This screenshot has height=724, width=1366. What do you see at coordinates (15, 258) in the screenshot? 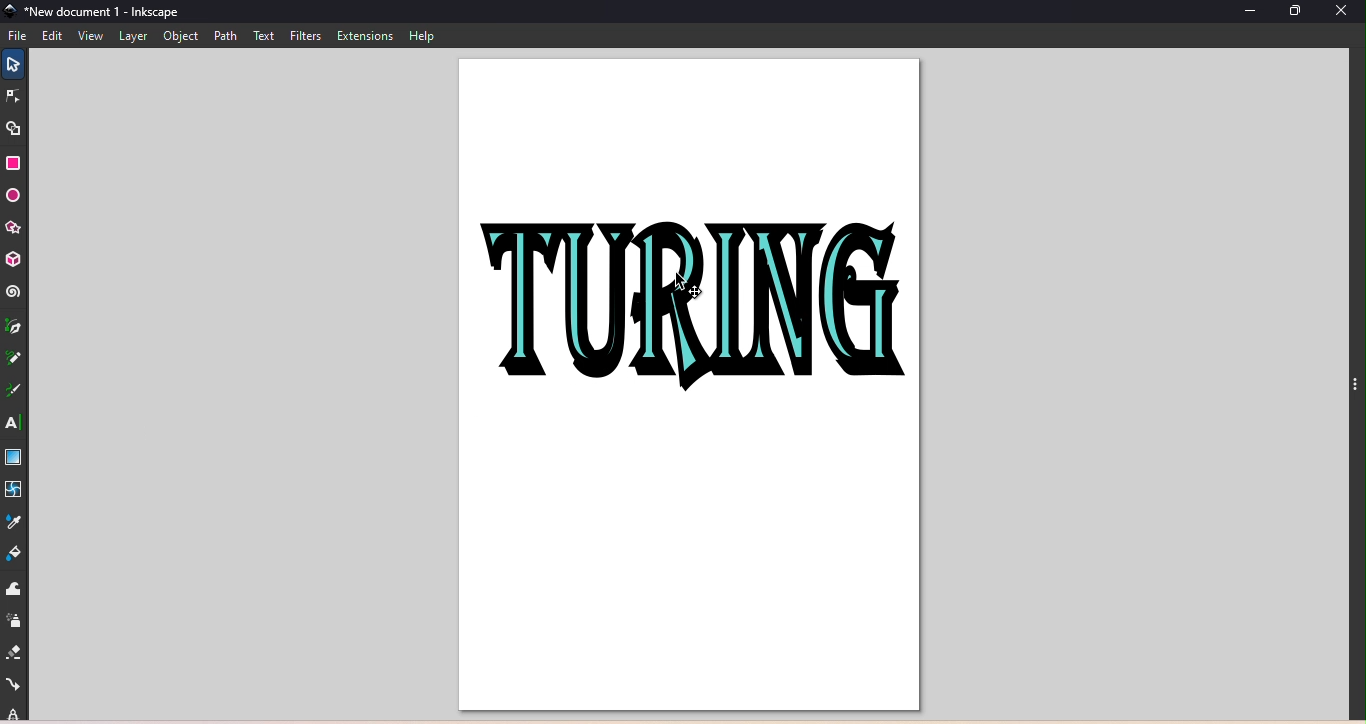
I see `3D box tool` at bounding box center [15, 258].